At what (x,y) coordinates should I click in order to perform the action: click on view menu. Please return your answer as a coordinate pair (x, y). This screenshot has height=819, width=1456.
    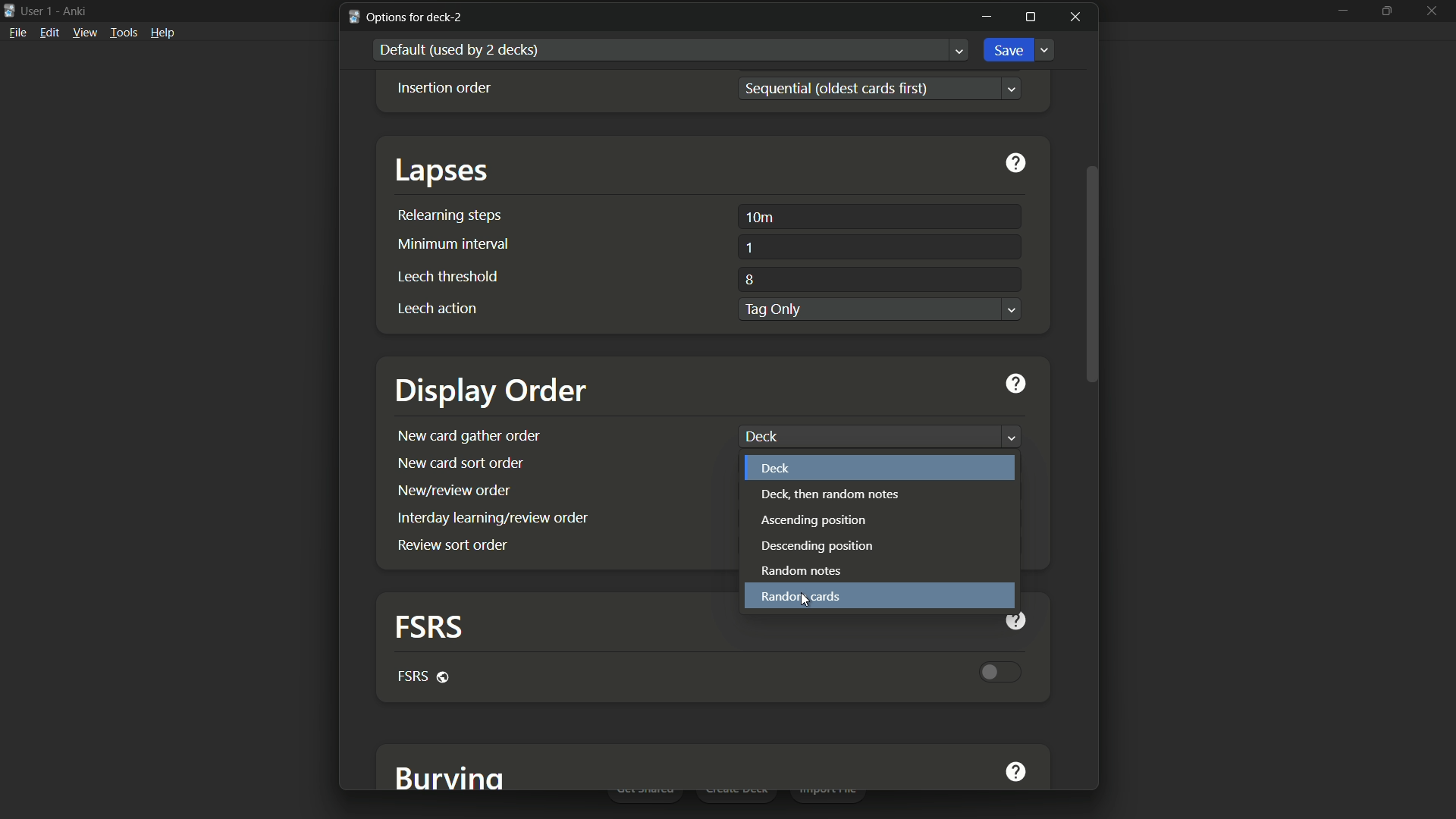
    Looking at the image, I should click on (85, 33).